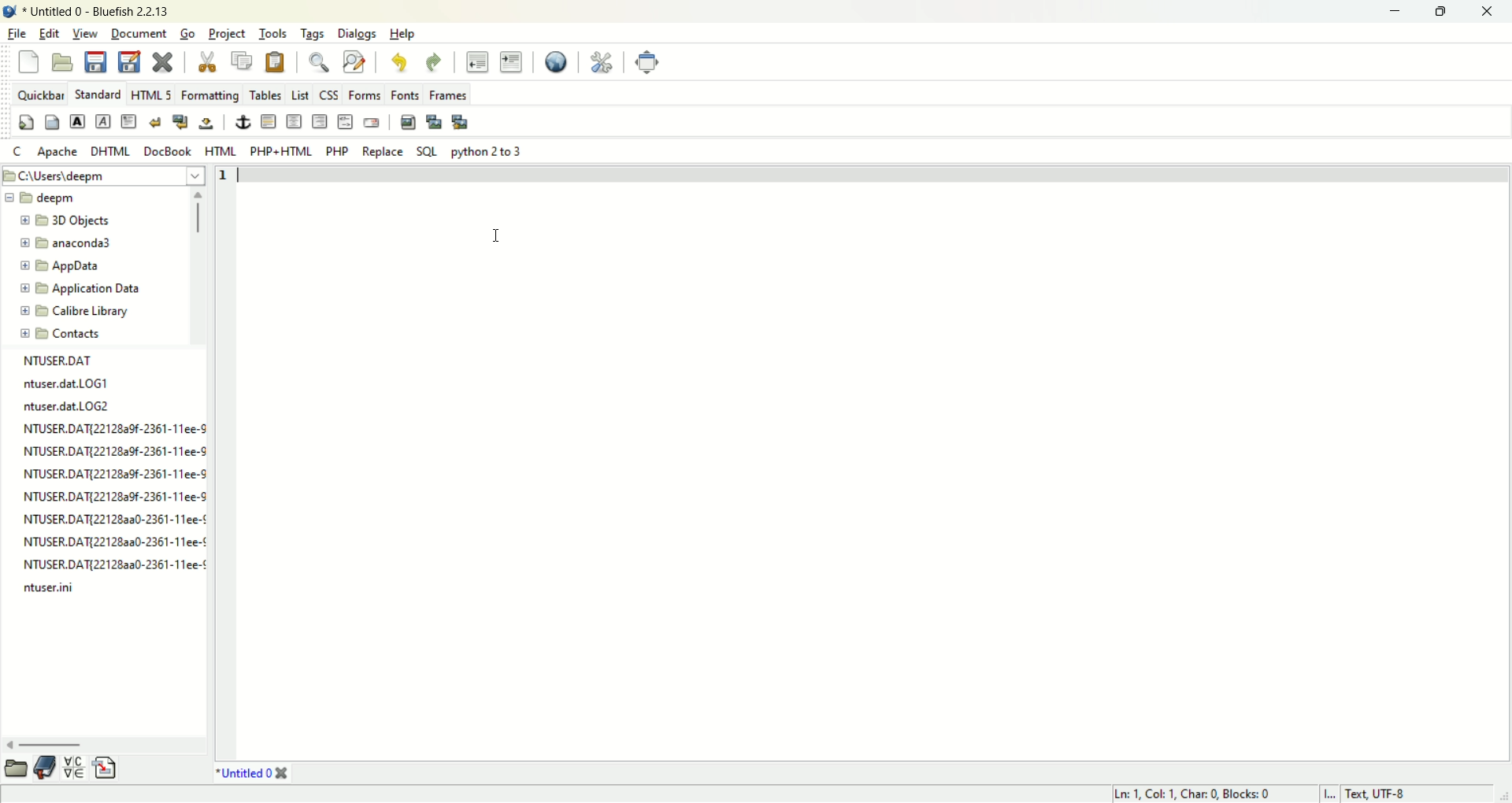  I want to click on anchor, so click(242, 120).